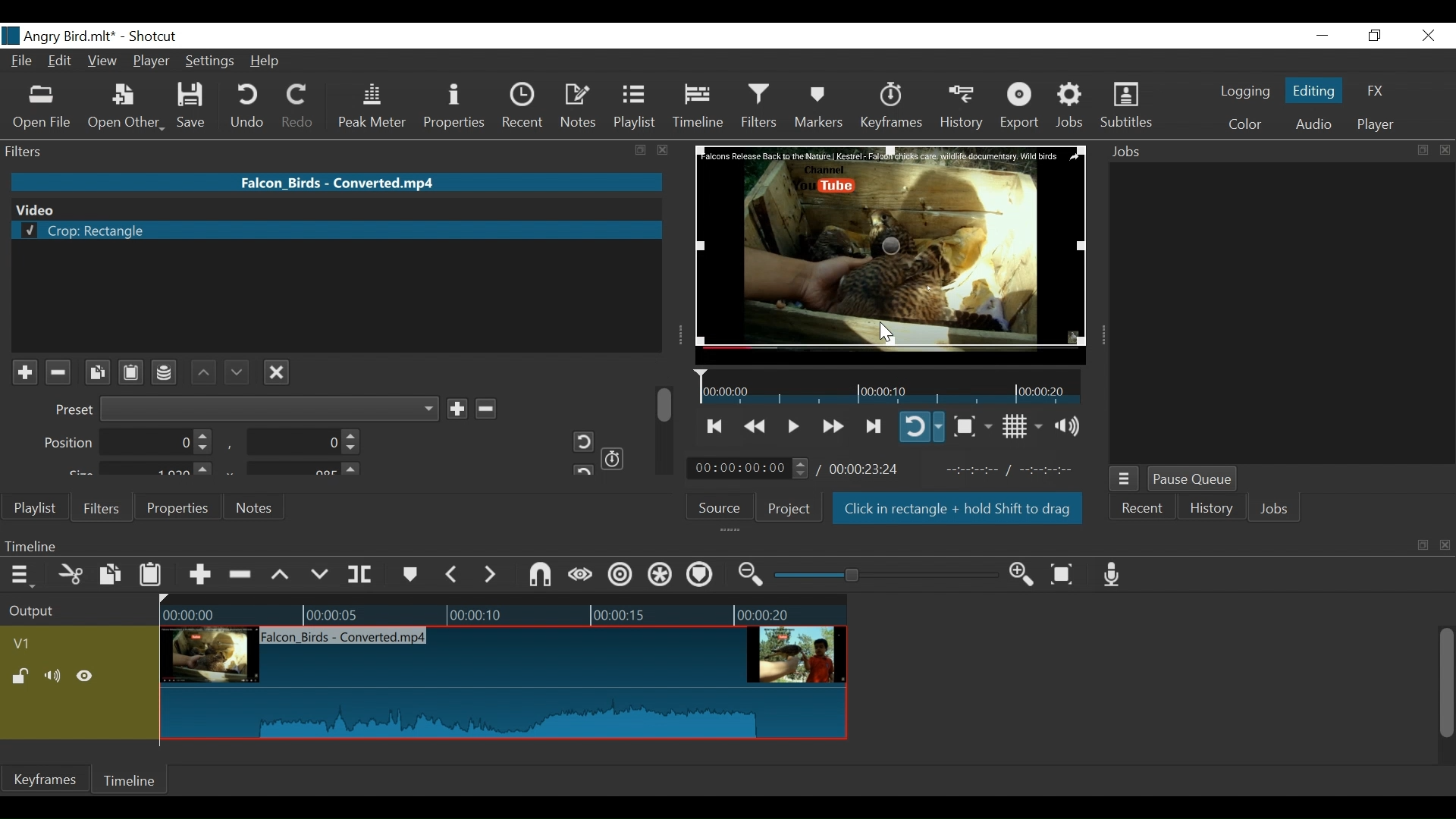  Describe the element at coordinates (1020, 107) in the screenshot. I see `Export` at that location.